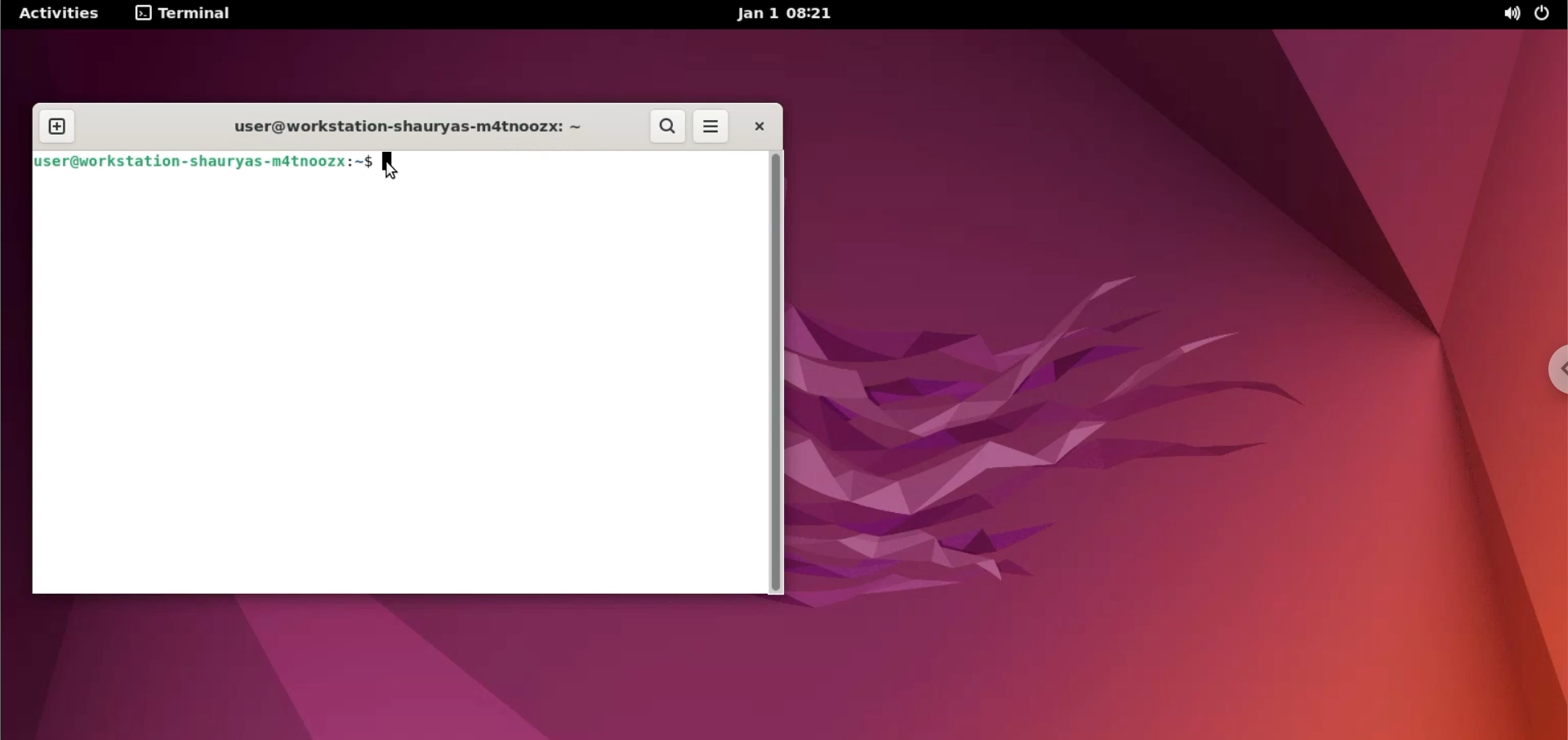  Describe the element at coordinates (1545, 368) in the screenshot. I see `chrome options` at that location.